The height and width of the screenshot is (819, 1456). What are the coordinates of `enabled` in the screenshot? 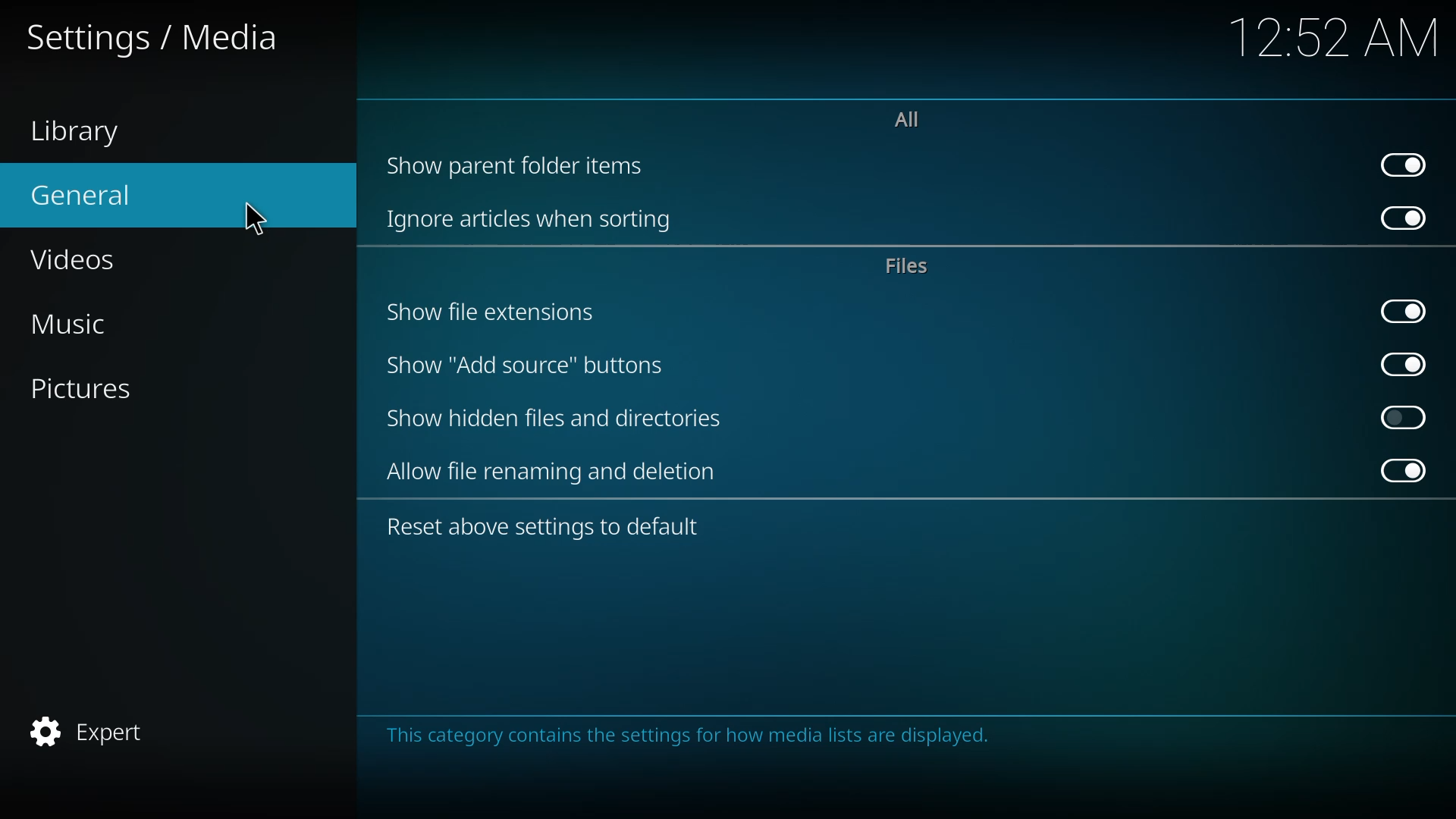 It's located at (1404, 469).